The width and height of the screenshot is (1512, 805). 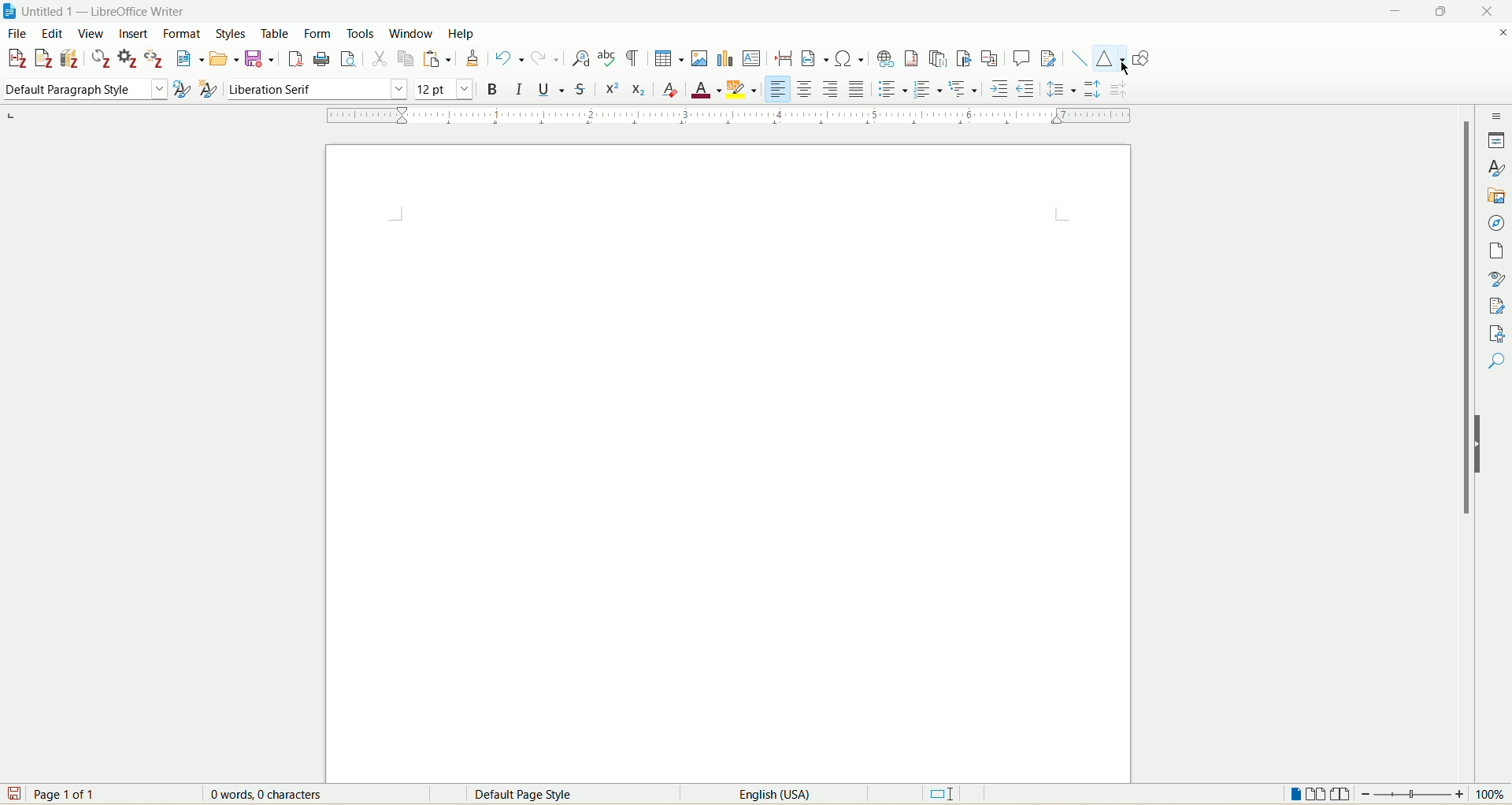 What do you see at coordinates (43, 59) in the screenshot?
I see `add note` at bounding box center [43, 59].